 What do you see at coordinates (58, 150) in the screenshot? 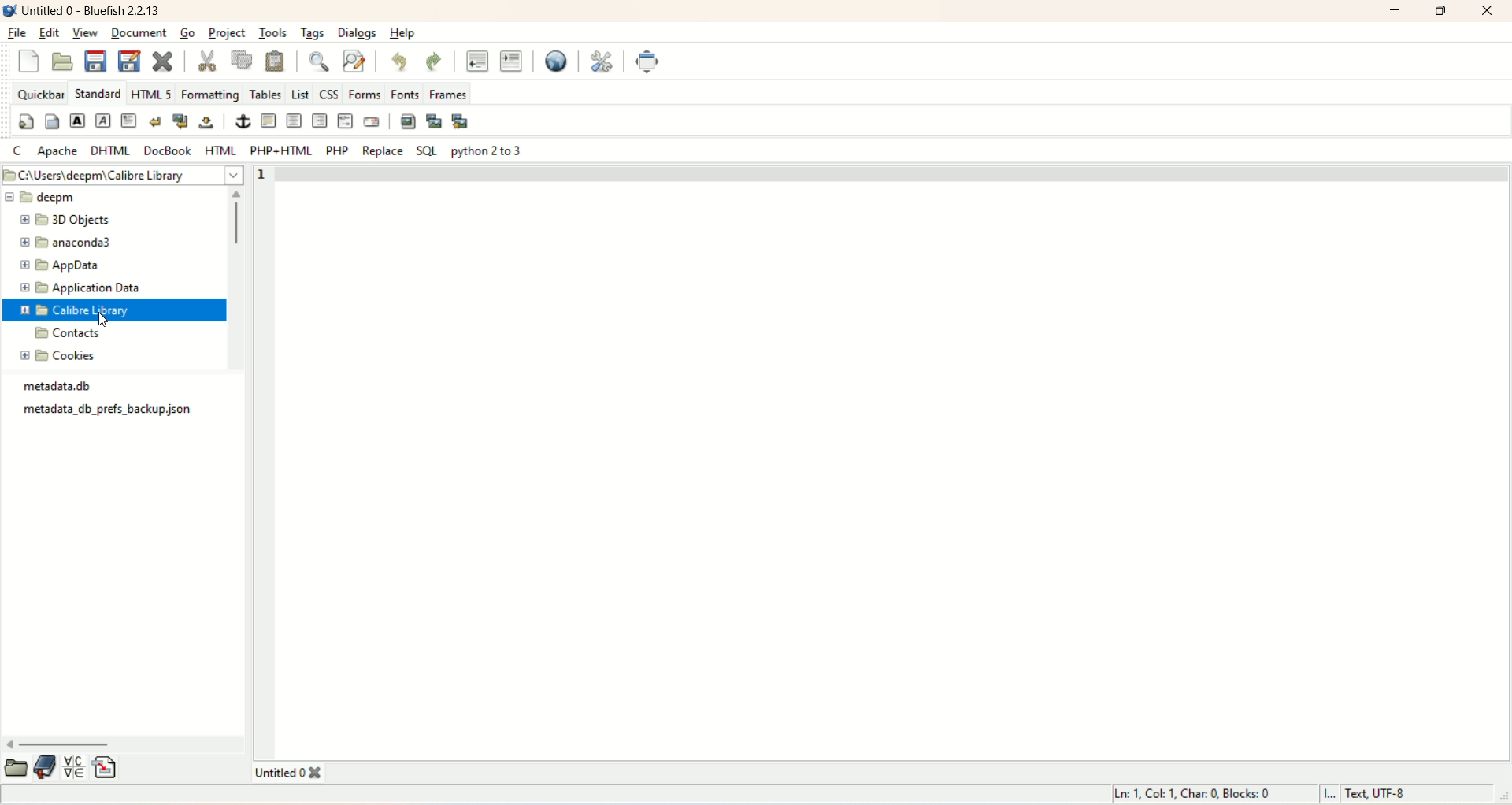
I see `apache` at bounding box center [58, 150].